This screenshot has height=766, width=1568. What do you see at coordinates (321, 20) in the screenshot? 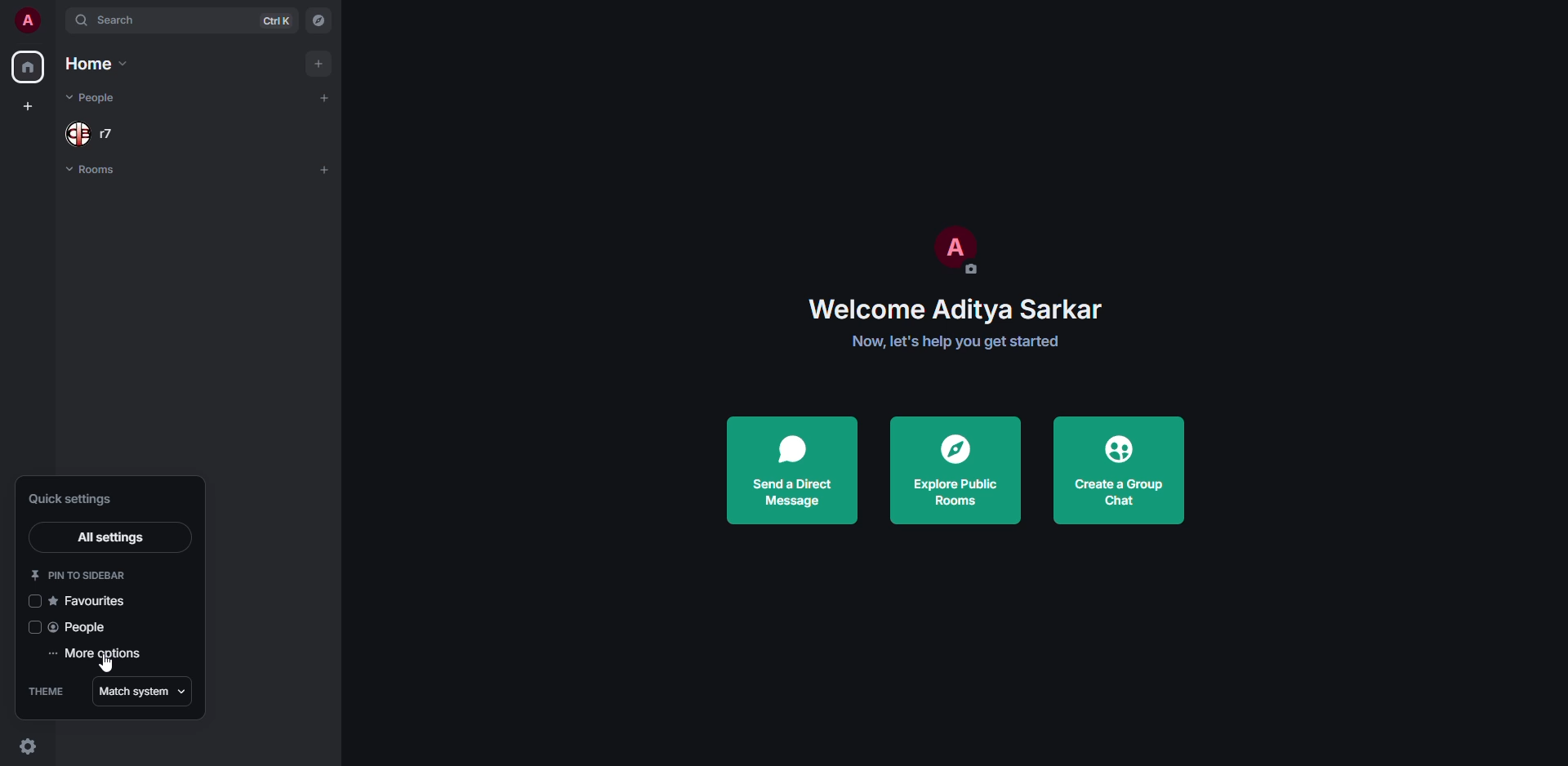
I see `navigator` at bounding box center [321, 20].